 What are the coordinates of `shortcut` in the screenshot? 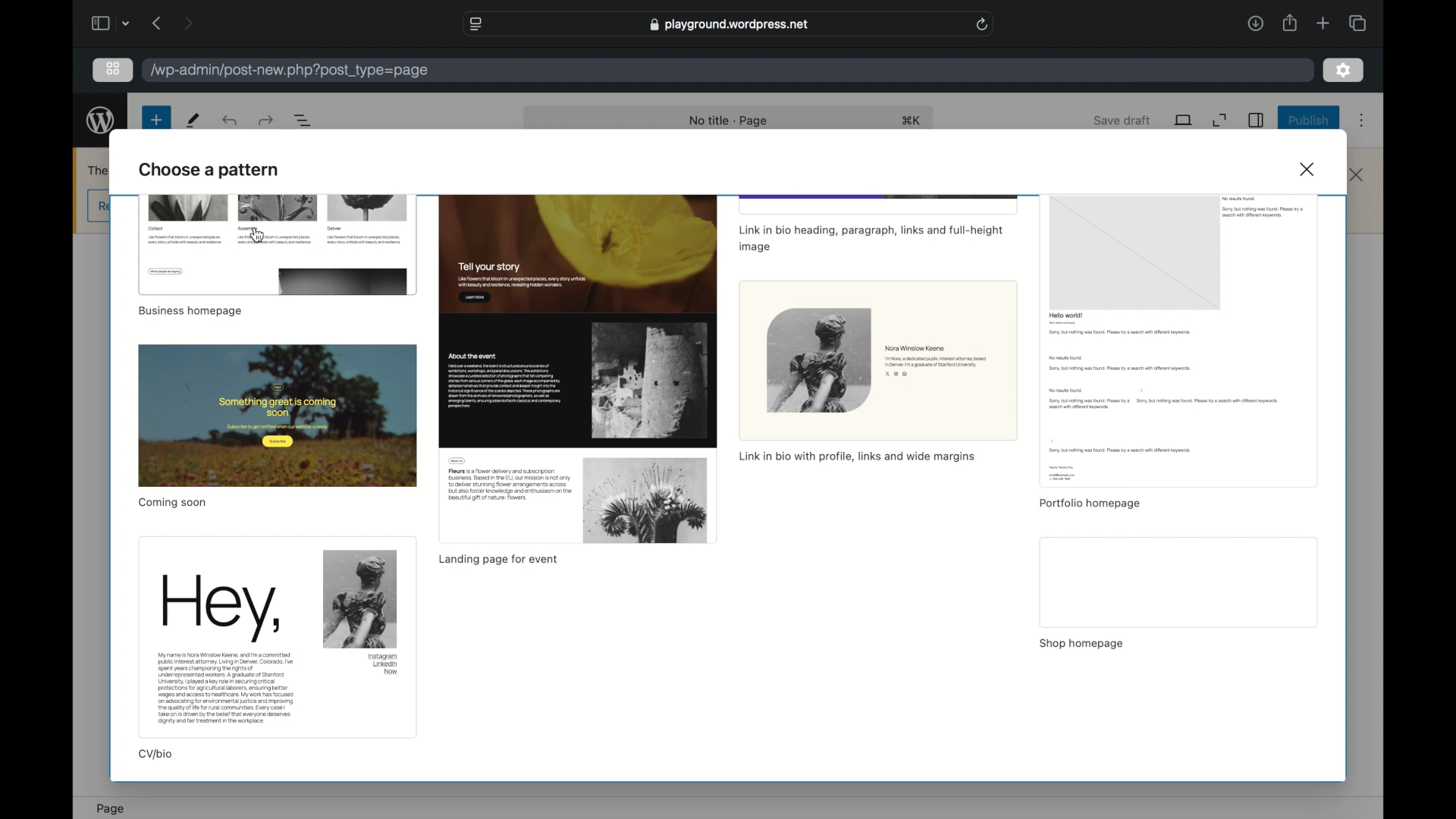 It's located at (912, 121).